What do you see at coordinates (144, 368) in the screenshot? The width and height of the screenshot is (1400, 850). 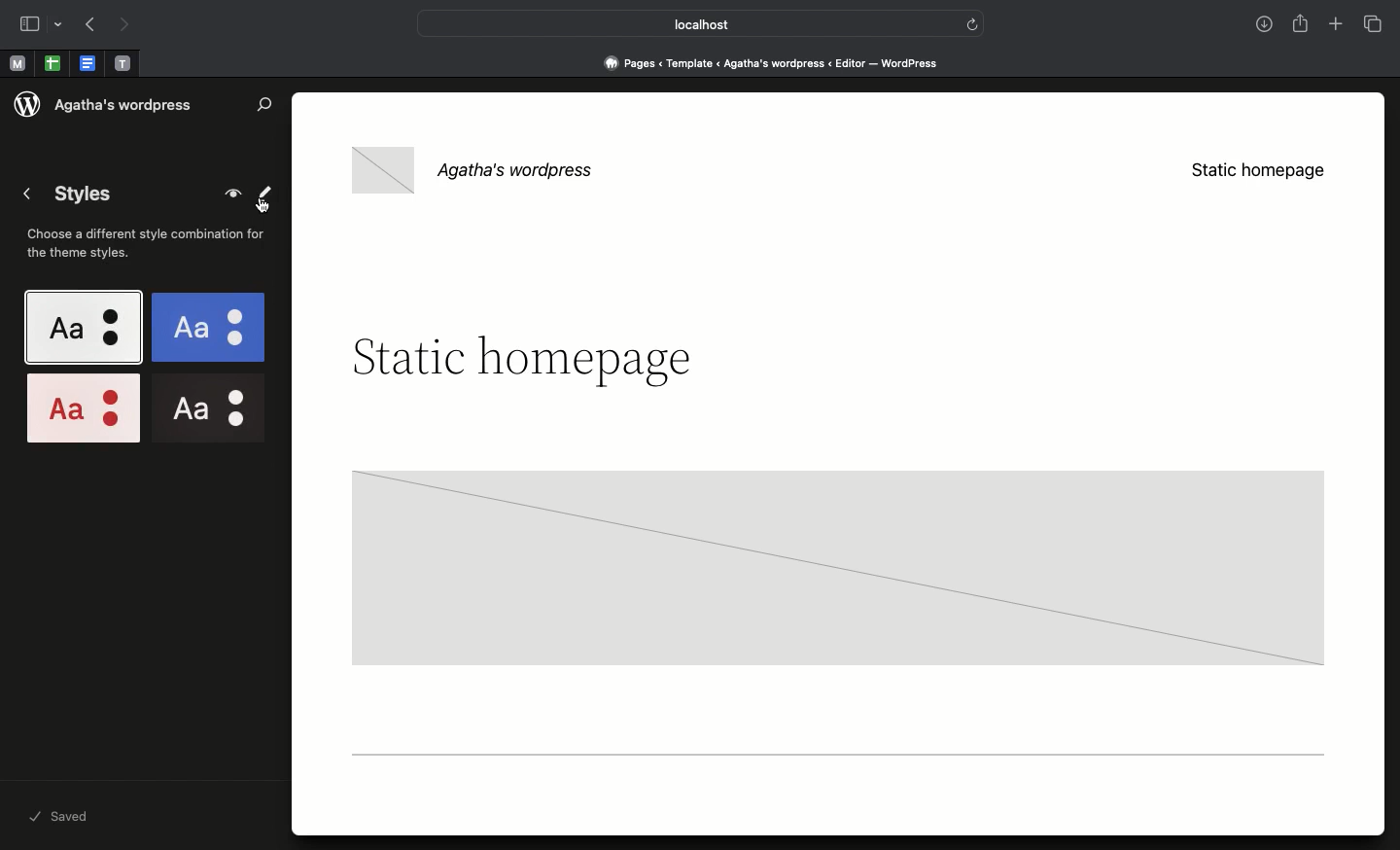 I see `Styles` at bounding box center [144, 368].